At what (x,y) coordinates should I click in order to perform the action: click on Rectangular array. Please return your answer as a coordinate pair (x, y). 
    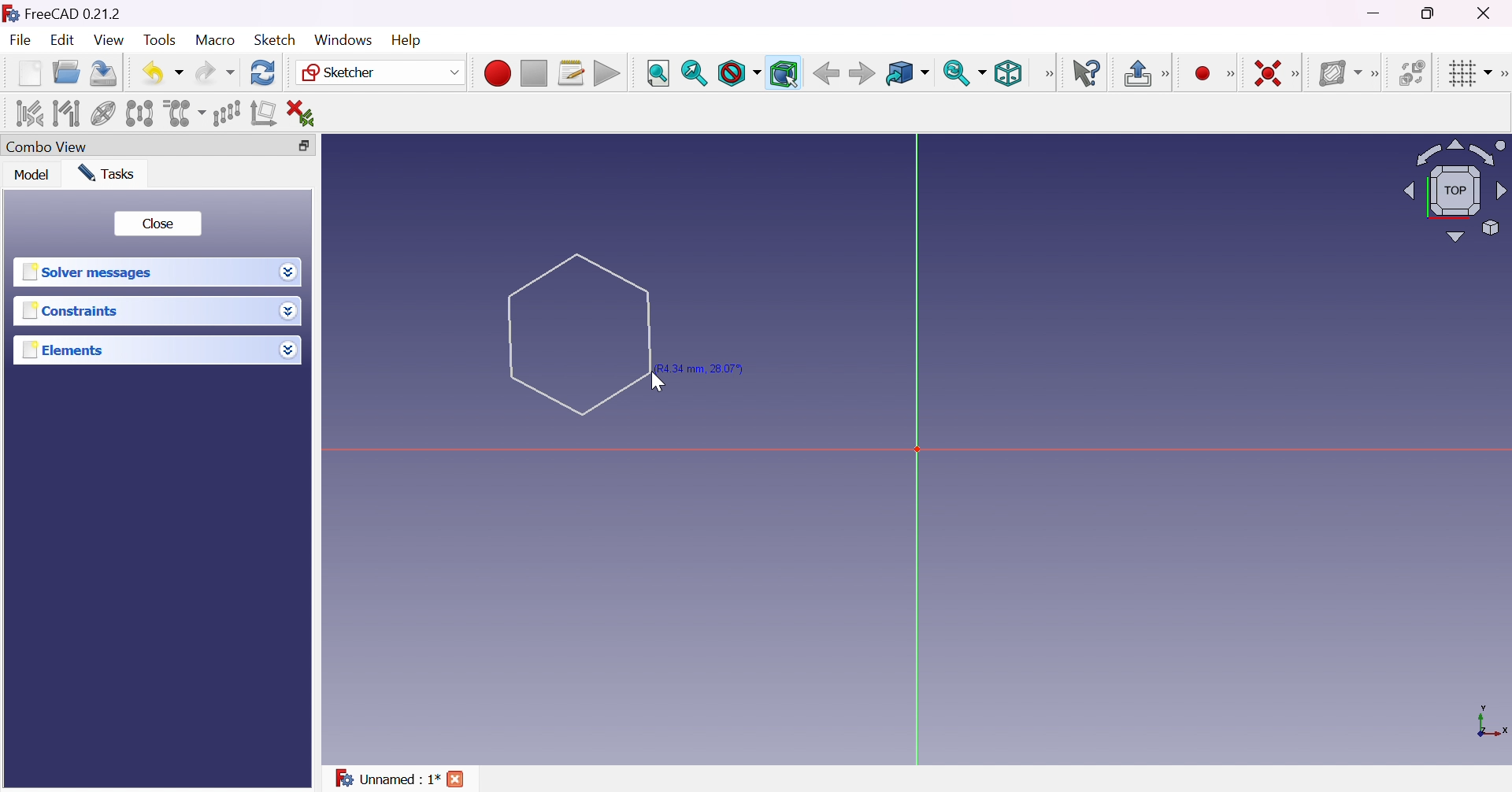
    Looking at the image, I should click on (227, 113).